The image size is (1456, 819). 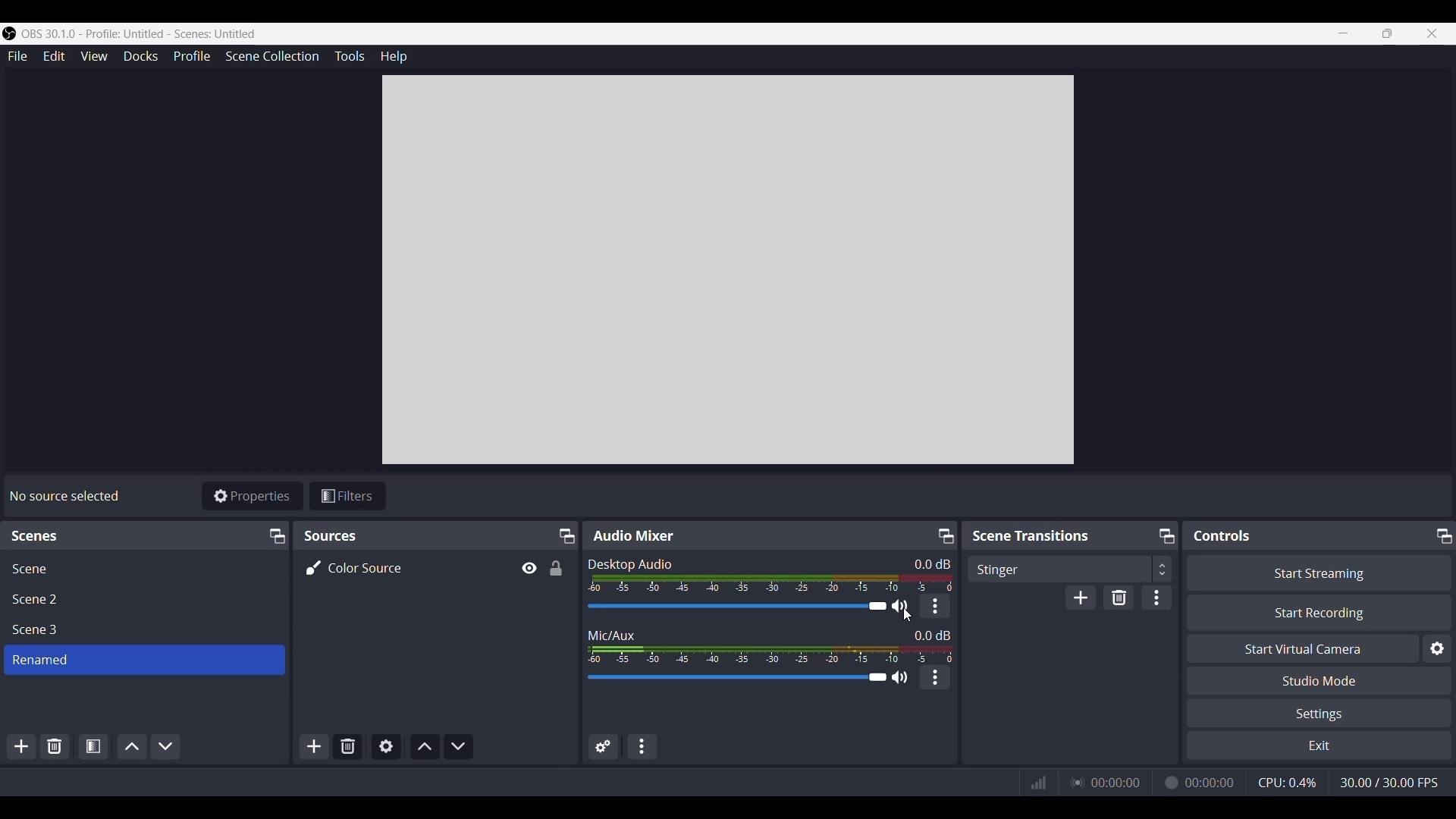 I want to click on Mute/Unmute Mic/Aux, so click(x=900, y=676).